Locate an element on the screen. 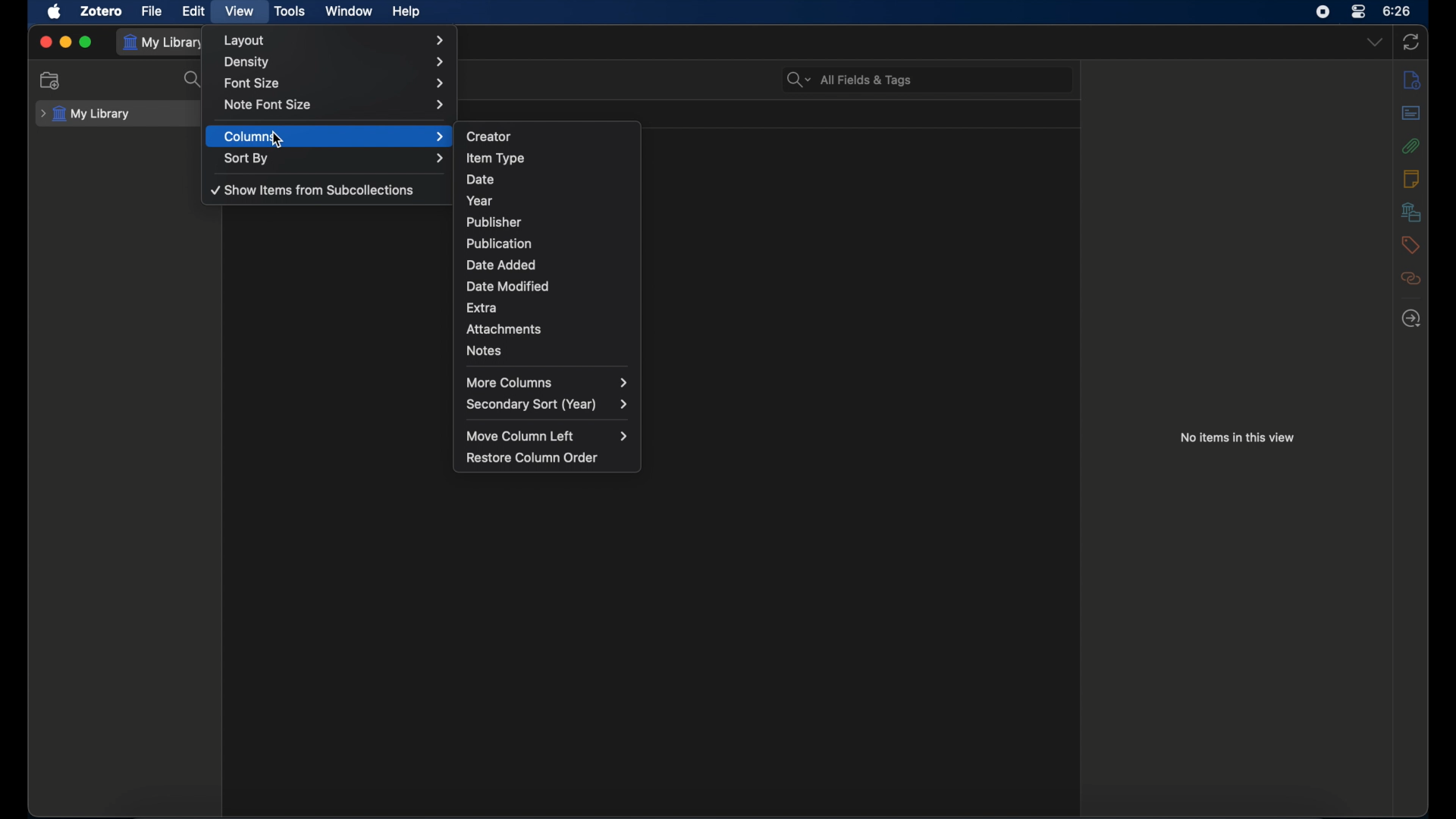 Image resolution: width=1456 pixels, height=819 pixels. sort by is located at coordinates (335, 159).